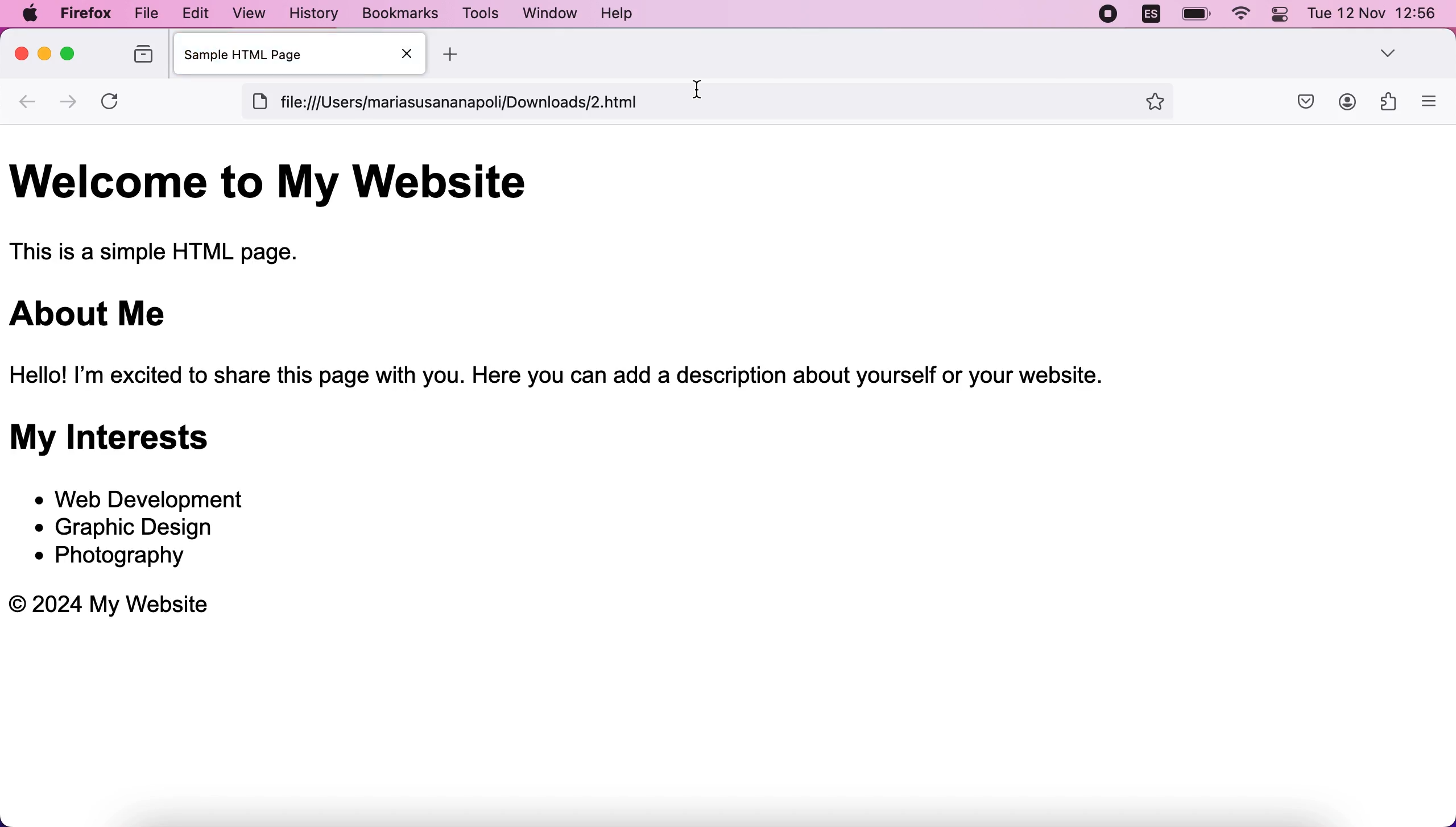  I want to click on list all tabs, so click(1392, 49).